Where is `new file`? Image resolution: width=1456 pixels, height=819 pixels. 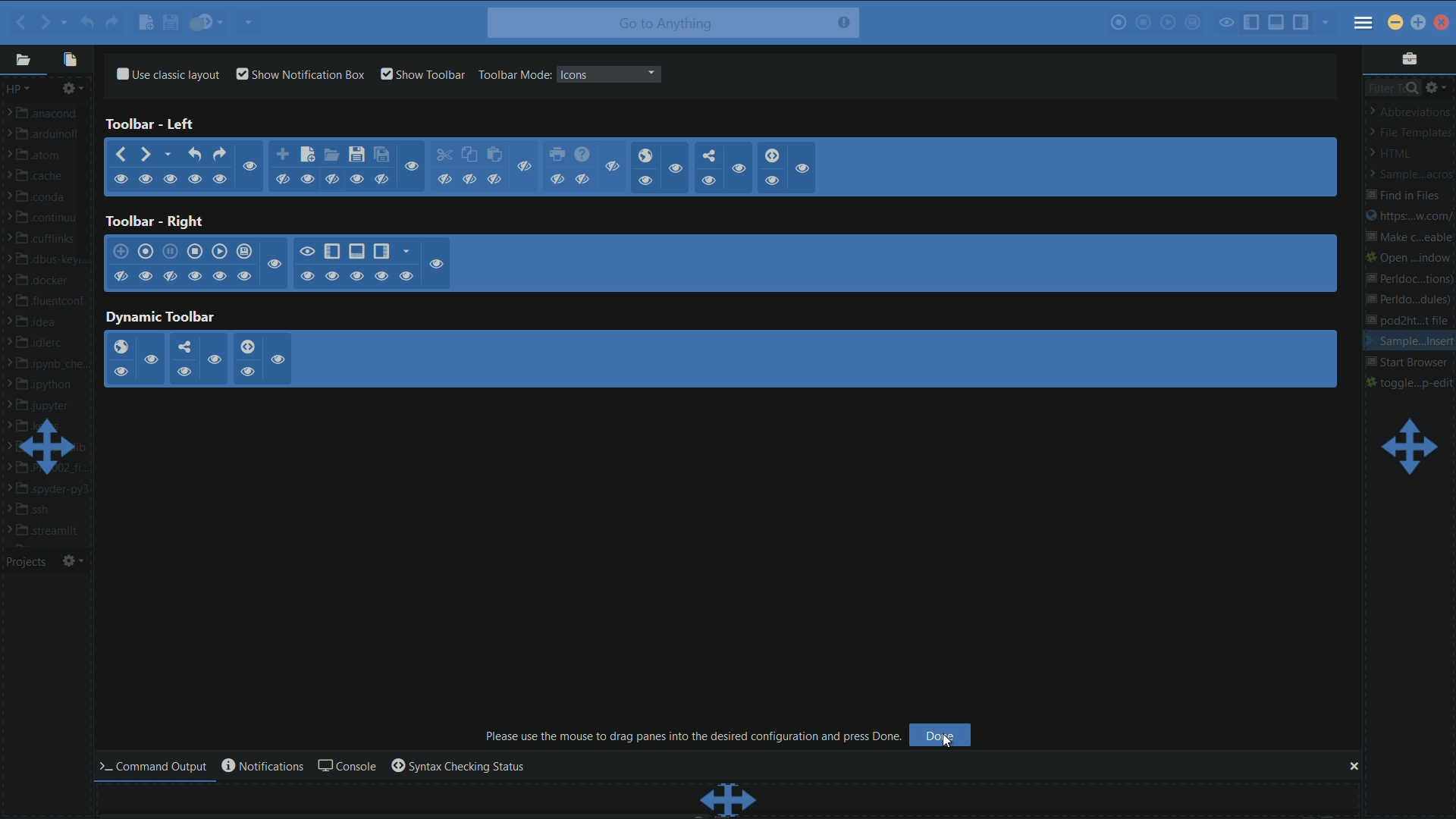 new file is located at coordinates (144, 24).